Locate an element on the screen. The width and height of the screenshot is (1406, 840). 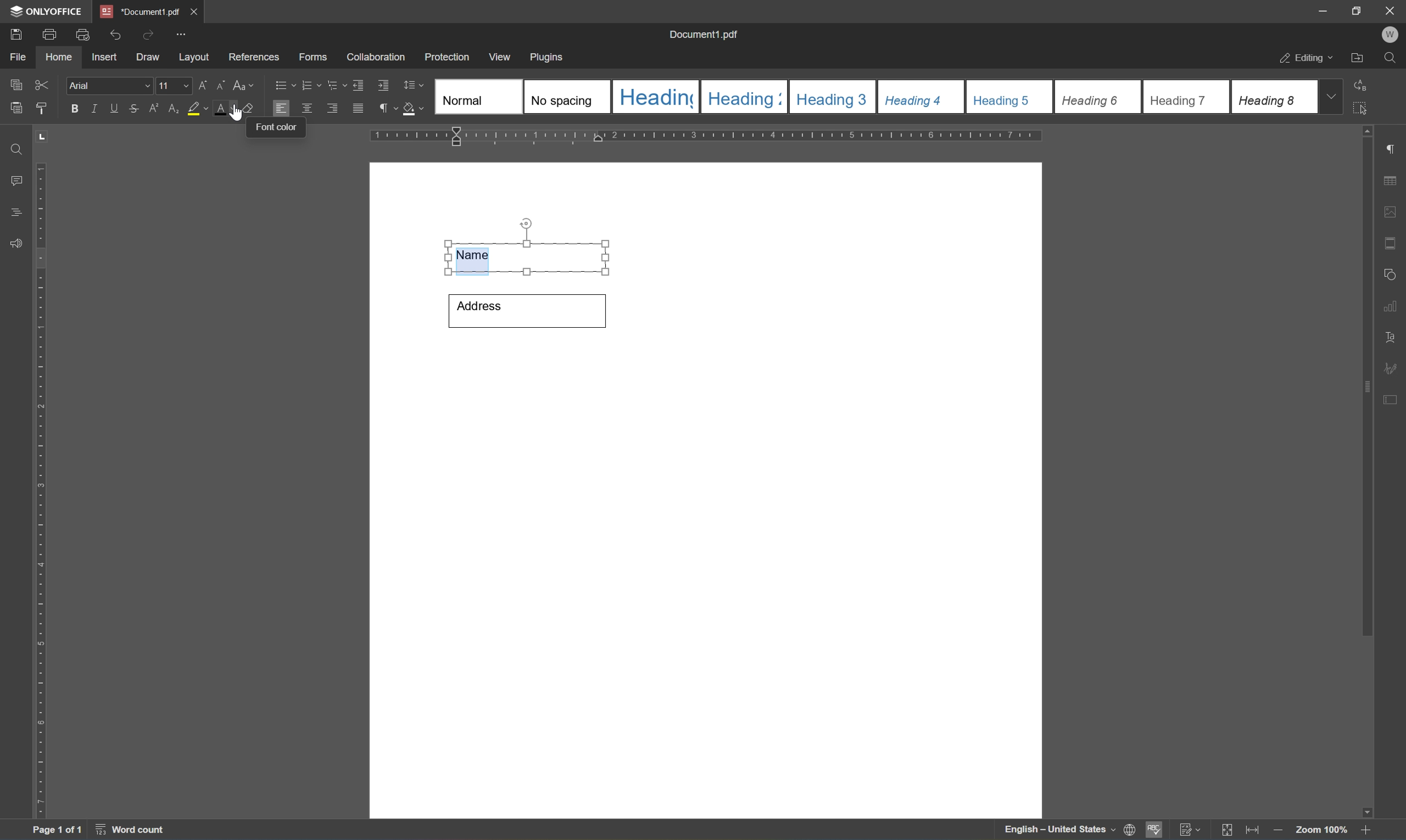
signature settings is located at coordinates (1394, 367).